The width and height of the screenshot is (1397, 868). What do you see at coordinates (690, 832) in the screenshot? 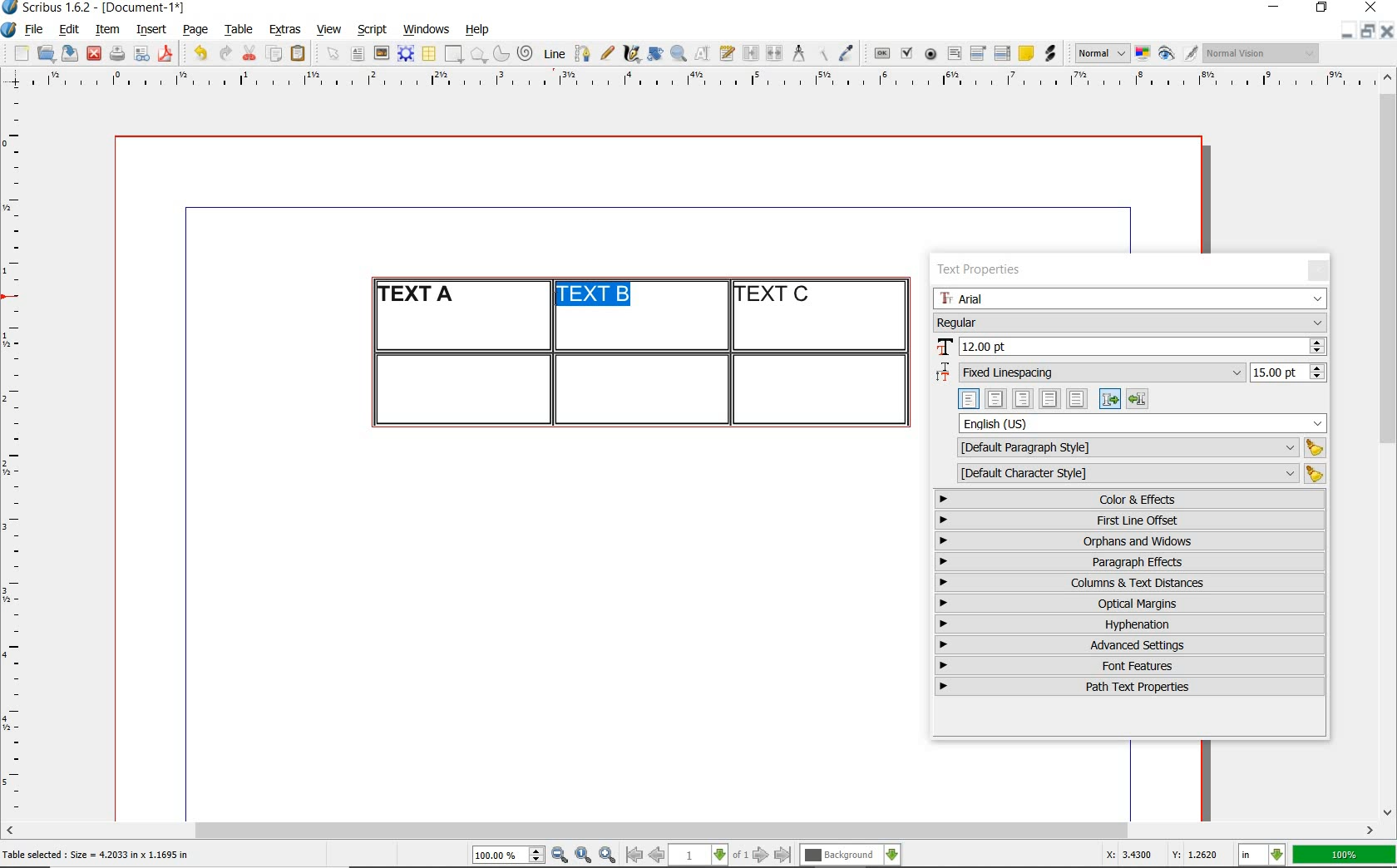
I see `scrollbar` at bounding box center [690, 832].